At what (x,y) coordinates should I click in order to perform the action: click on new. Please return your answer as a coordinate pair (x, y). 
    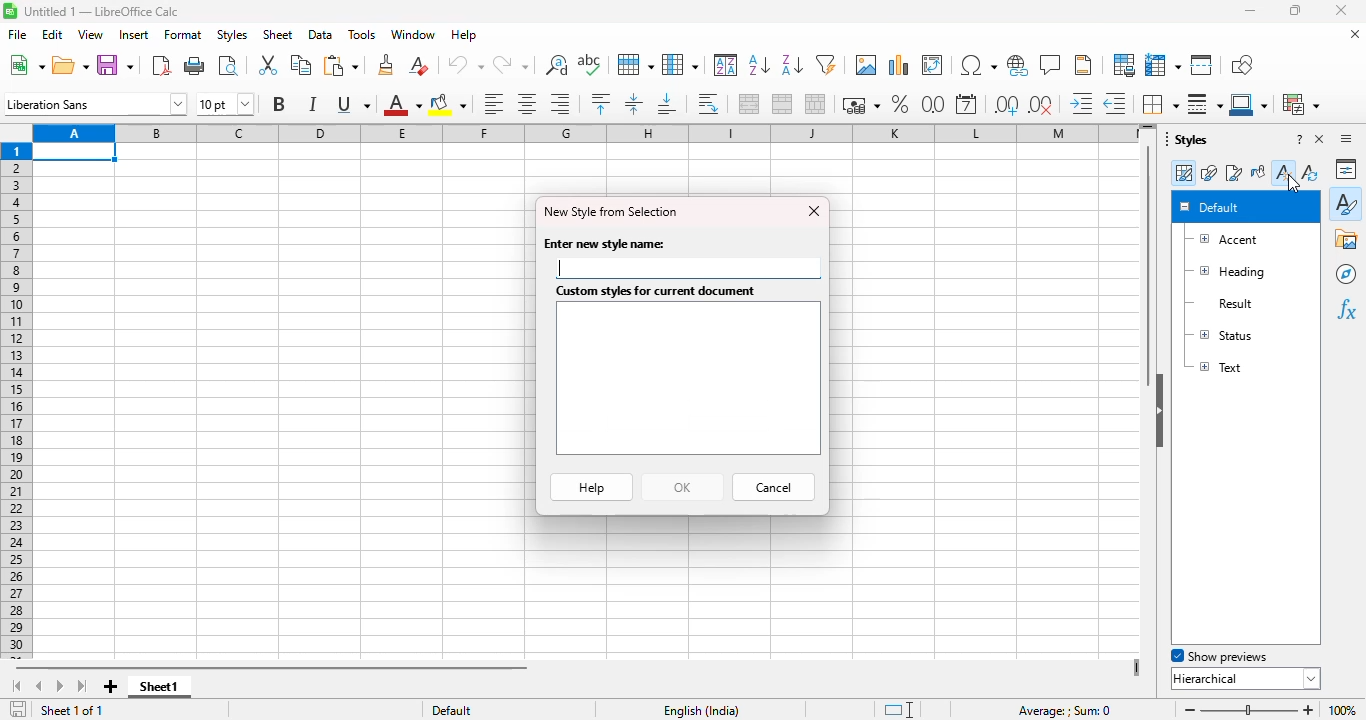
    Looking at the image, I should click on (25, 65).